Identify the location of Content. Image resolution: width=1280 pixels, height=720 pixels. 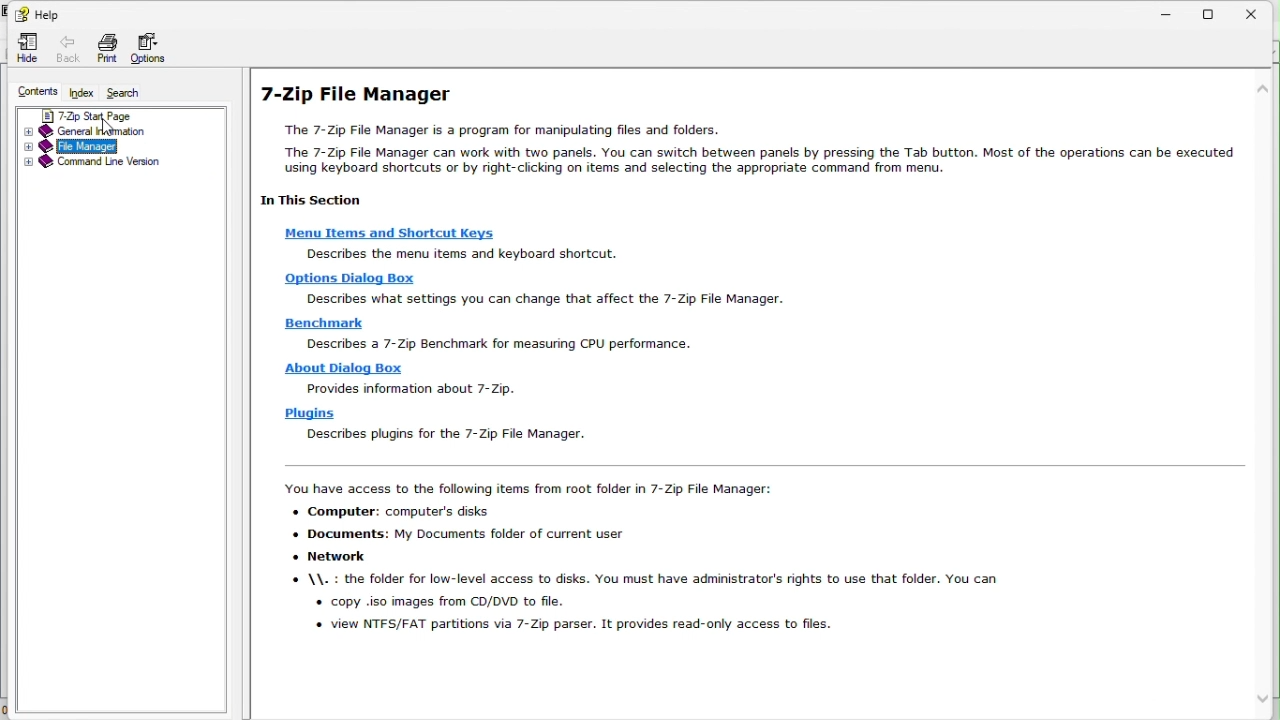
(31, 89).